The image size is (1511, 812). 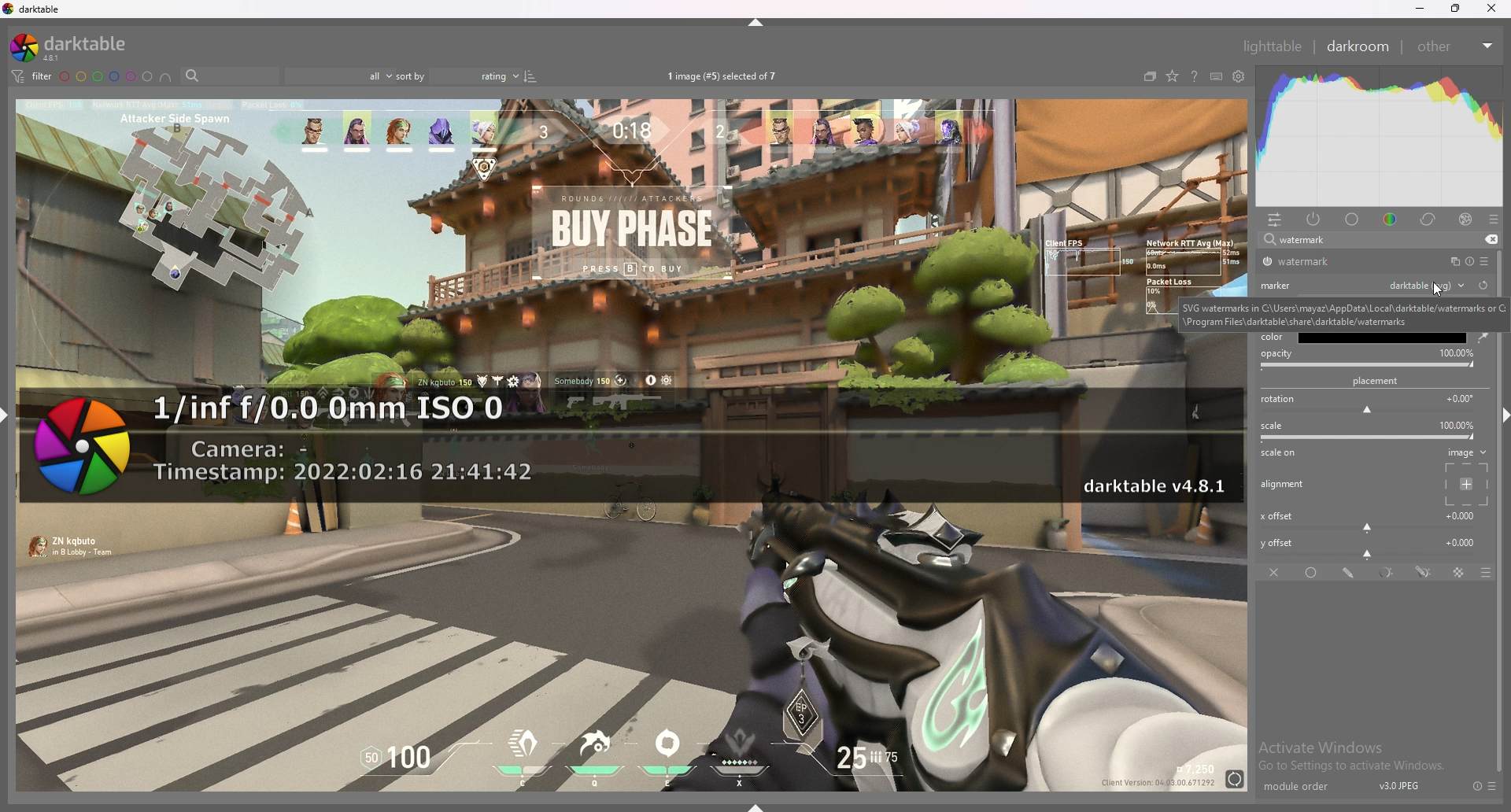 I want to click on hide, so click(x=1498, y=413).